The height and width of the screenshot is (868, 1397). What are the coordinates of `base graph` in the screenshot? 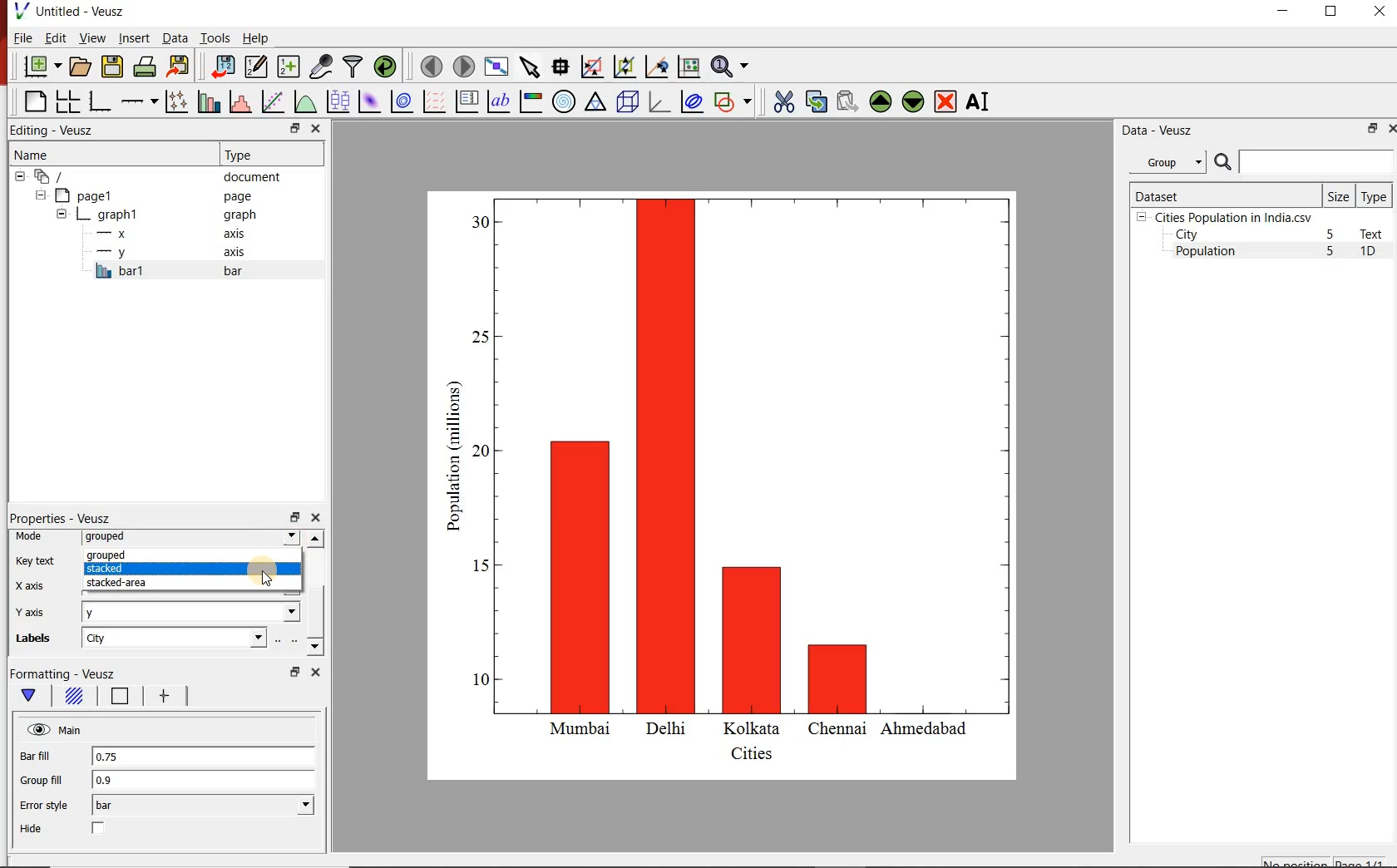 It's located at (98, 101).